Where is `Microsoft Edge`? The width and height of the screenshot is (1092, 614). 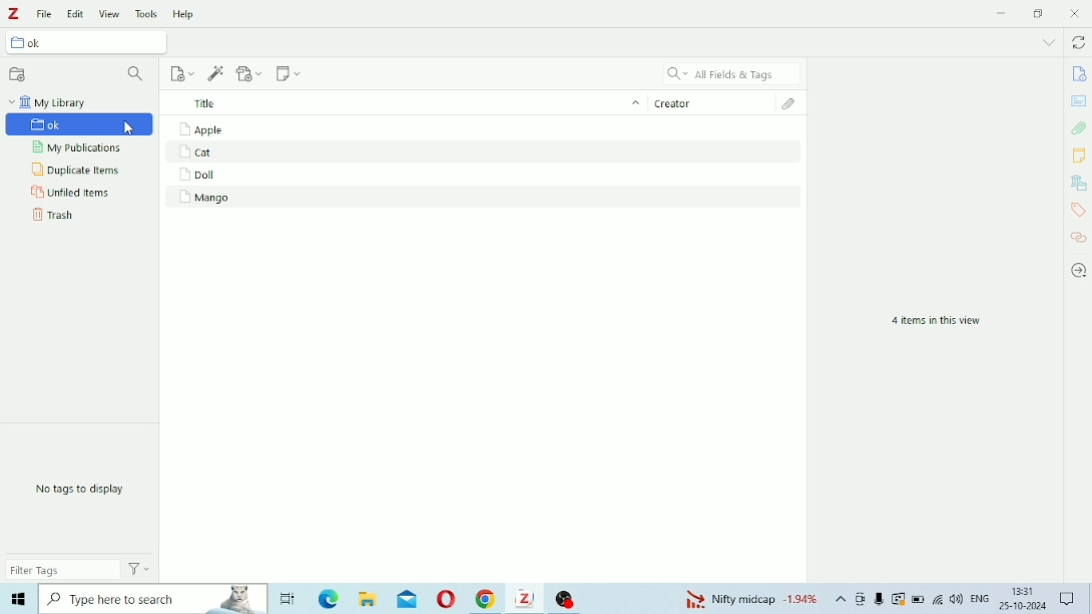
Microsoft Edge is located at coordinates (328, 598).